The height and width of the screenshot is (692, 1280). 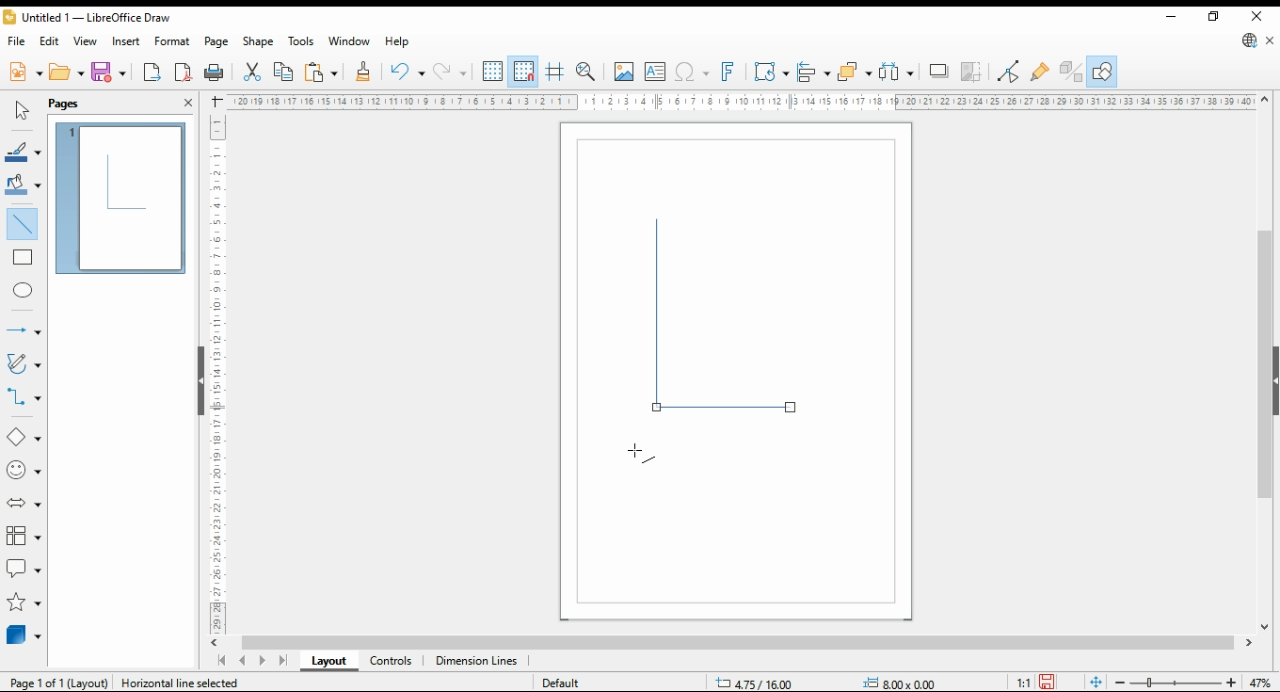 I want to click on help, so click(x=397, y=42).